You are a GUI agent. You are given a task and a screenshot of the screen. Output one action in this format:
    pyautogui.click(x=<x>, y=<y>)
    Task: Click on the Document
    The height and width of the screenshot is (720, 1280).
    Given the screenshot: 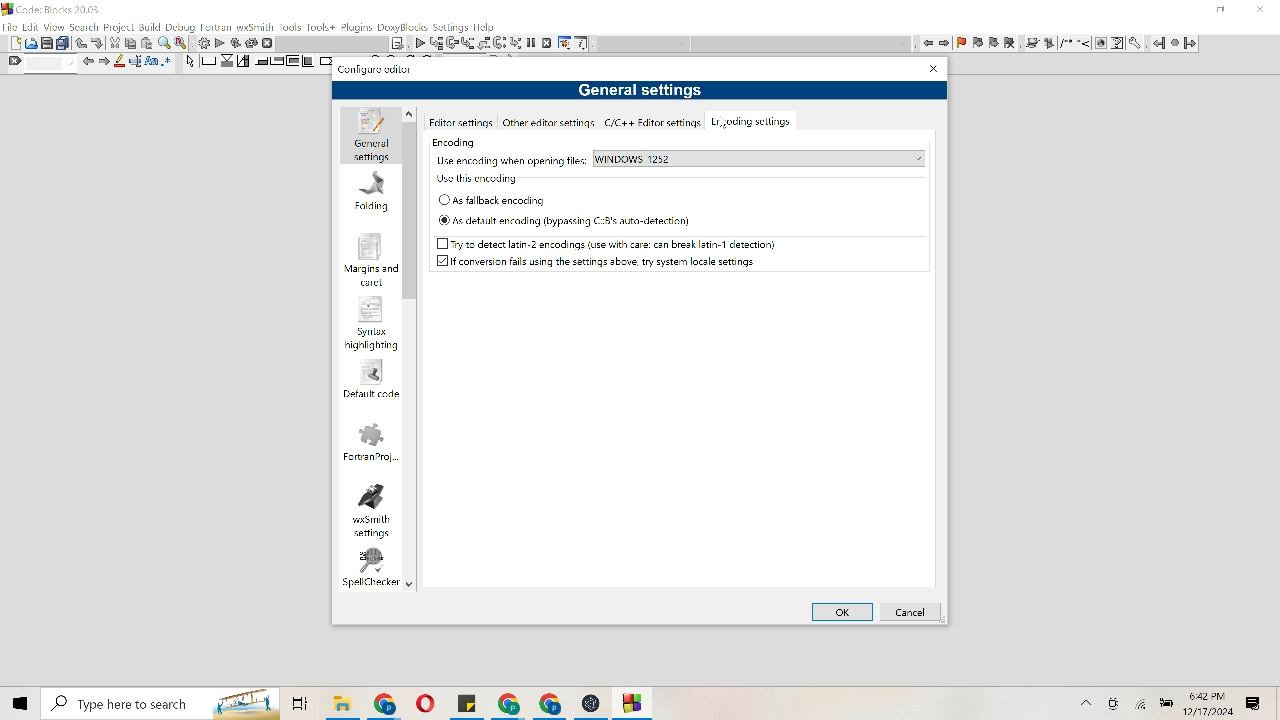 What is the action you would take?
    pyautogui.click(x=13, y=42)
    